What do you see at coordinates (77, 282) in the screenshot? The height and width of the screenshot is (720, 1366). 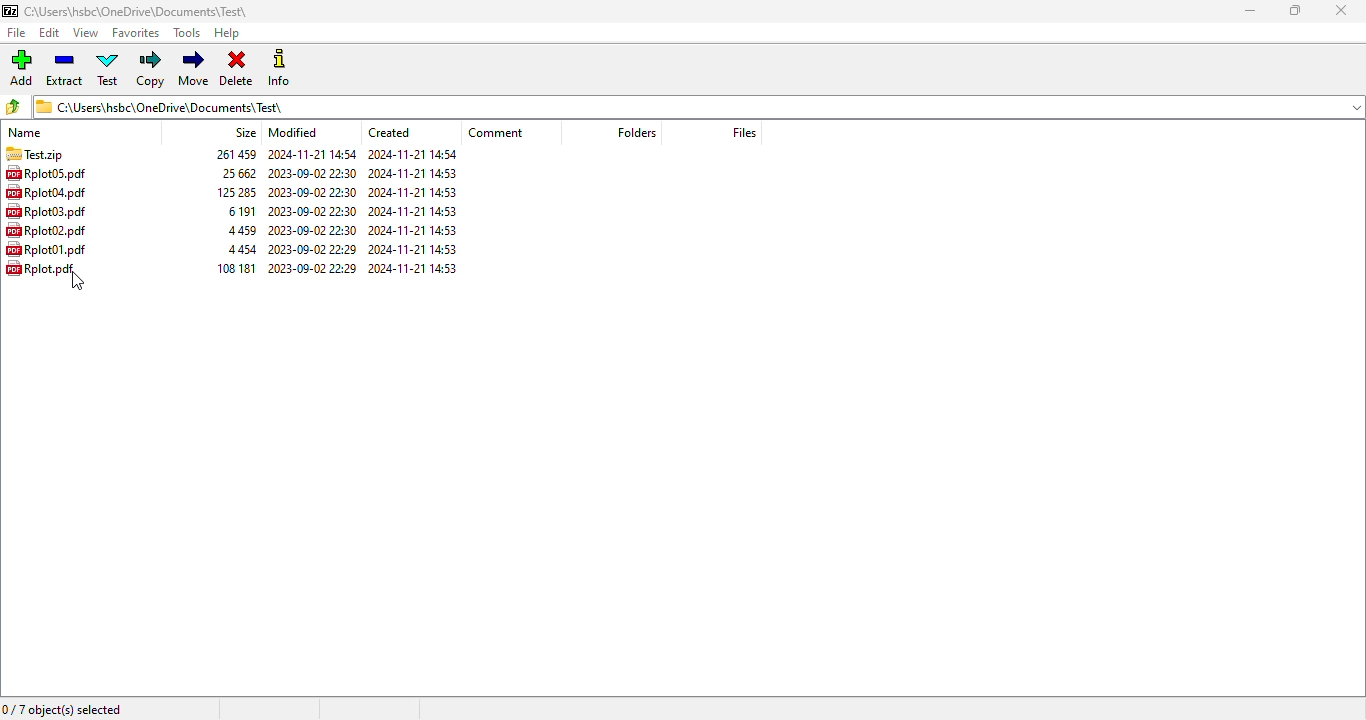 I see `cursor` at bounding box center [77, 282].